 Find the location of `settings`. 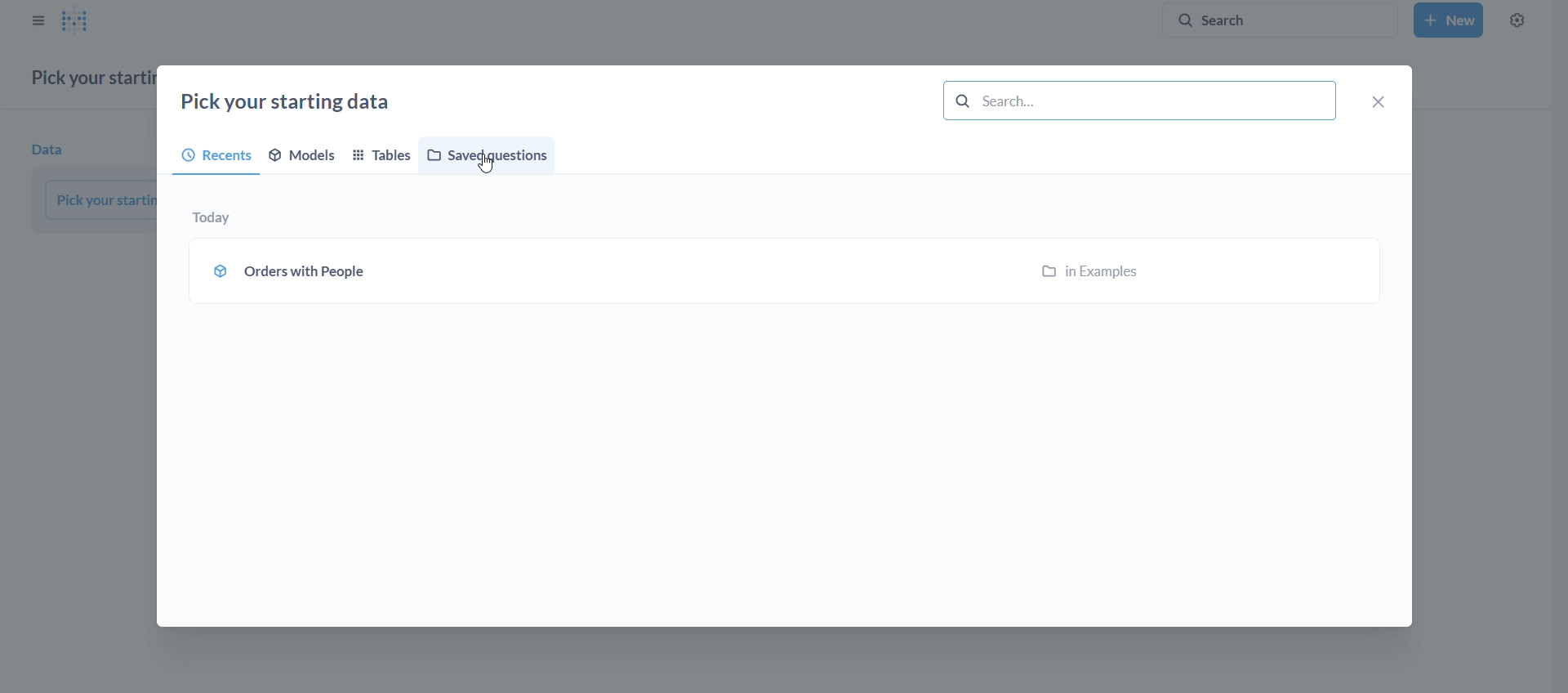

settings is located at coordinates (1517, 20).